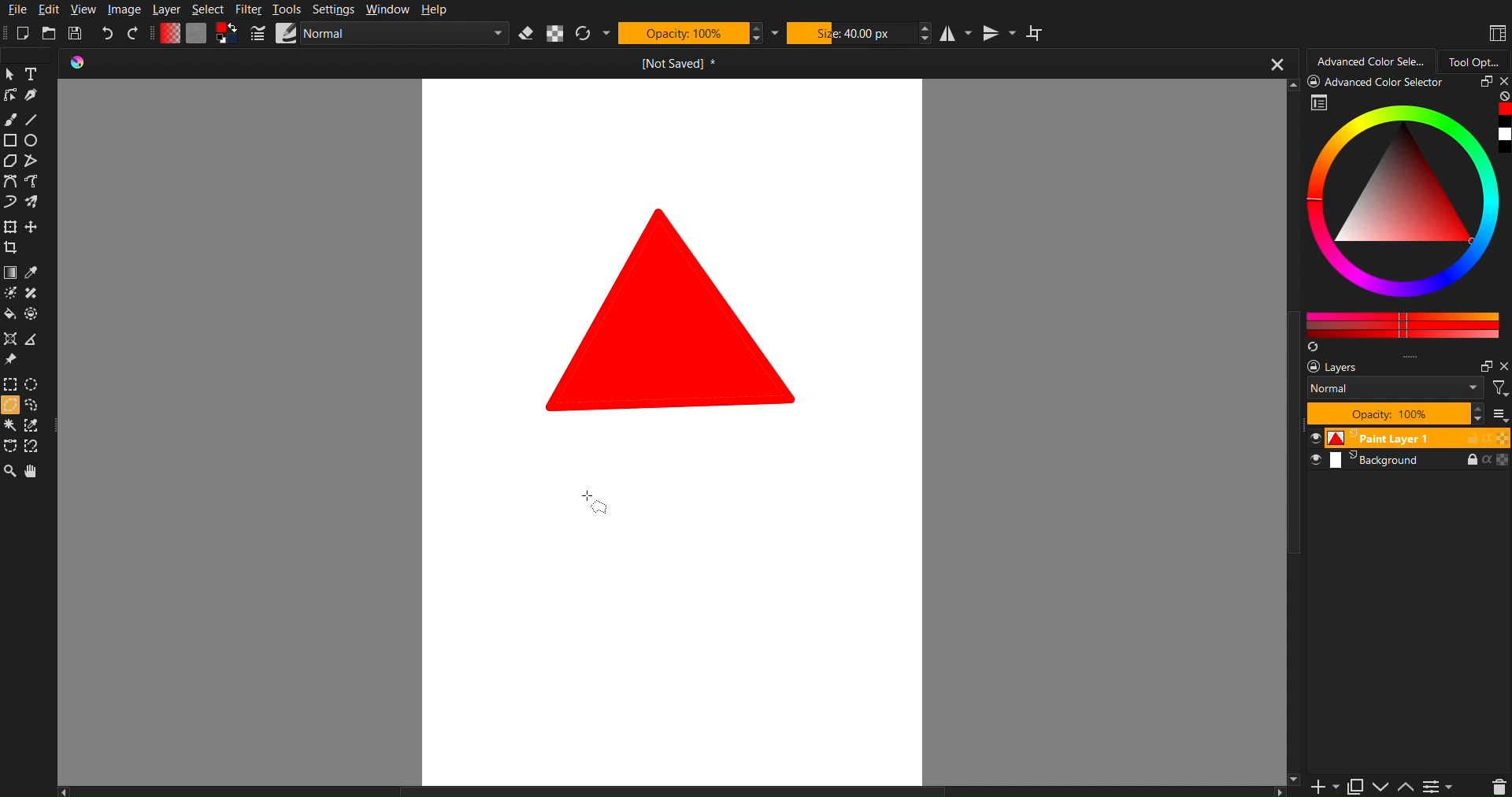  I want to click on selection free shape, so click(9, 445).